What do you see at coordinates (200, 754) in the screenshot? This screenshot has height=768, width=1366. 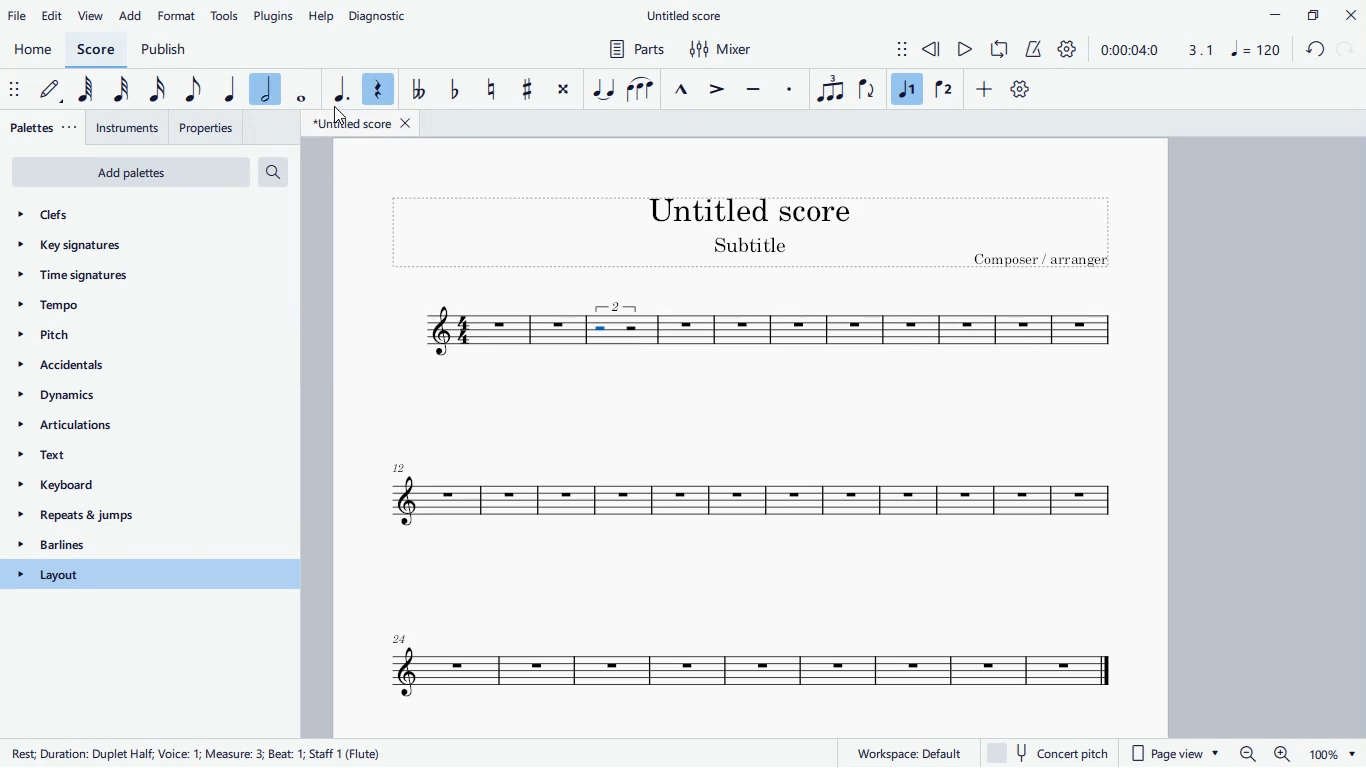 I see `informations` at bounding box center [200, 754].